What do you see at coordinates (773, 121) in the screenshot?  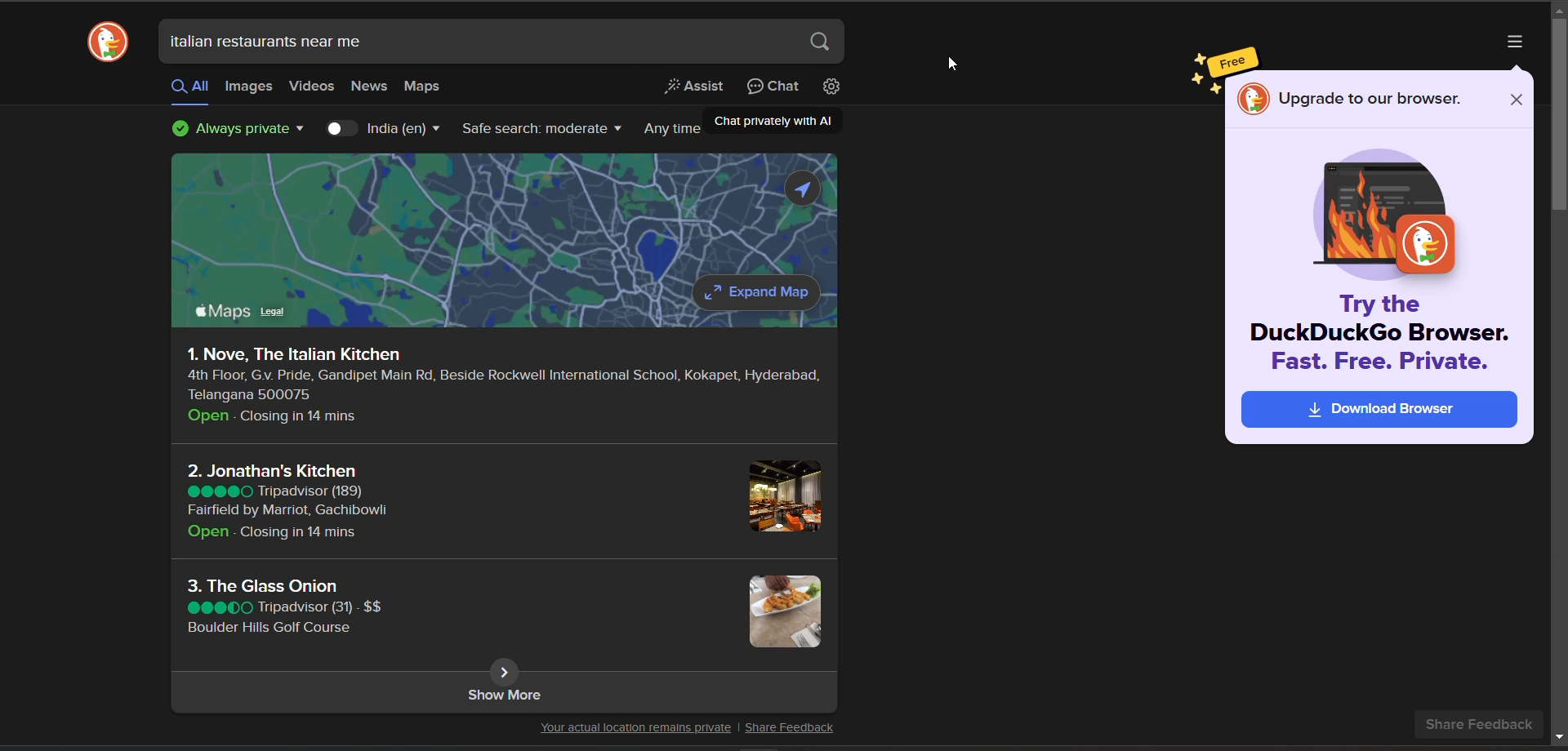 I see `Chat privately with Al` at bounding box center [773, 121].